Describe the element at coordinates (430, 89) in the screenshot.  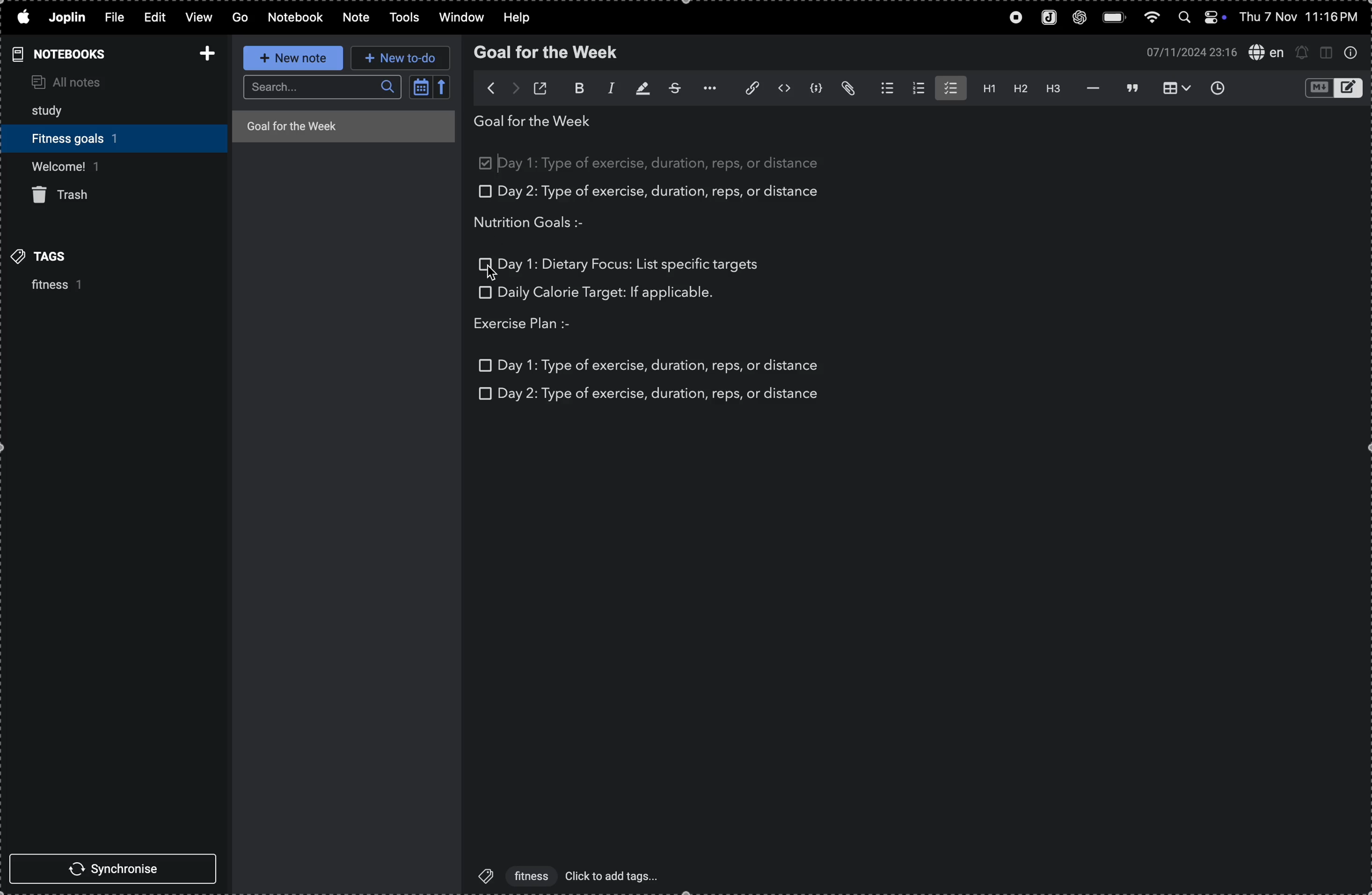
I see `calendar` at that location.